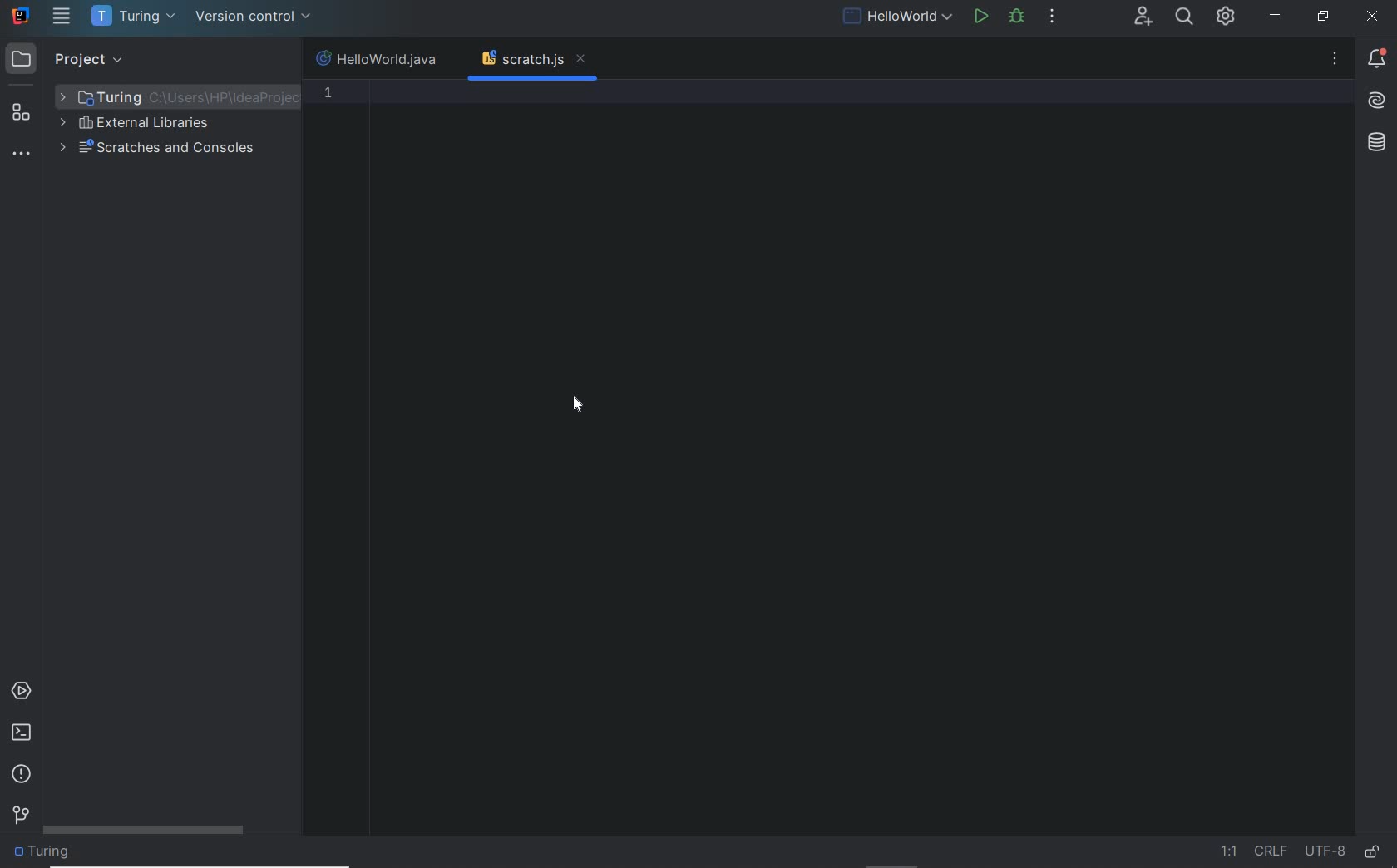 The width and height of the screenshot is (1397, 868). I want to click on more options, so click(1335, 62).